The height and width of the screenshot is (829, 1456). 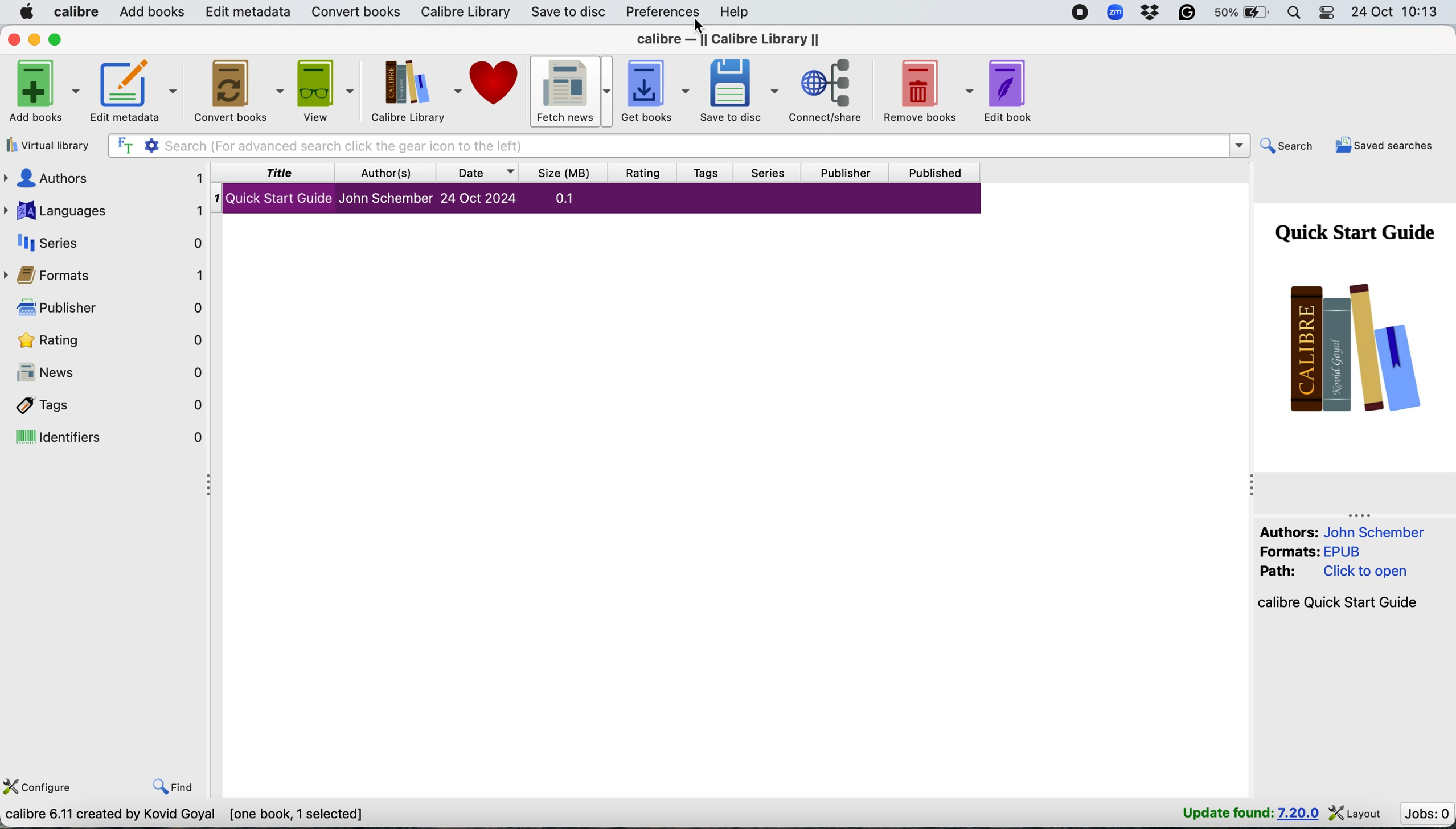 I want to click on add books, so click(x=151, y=13).